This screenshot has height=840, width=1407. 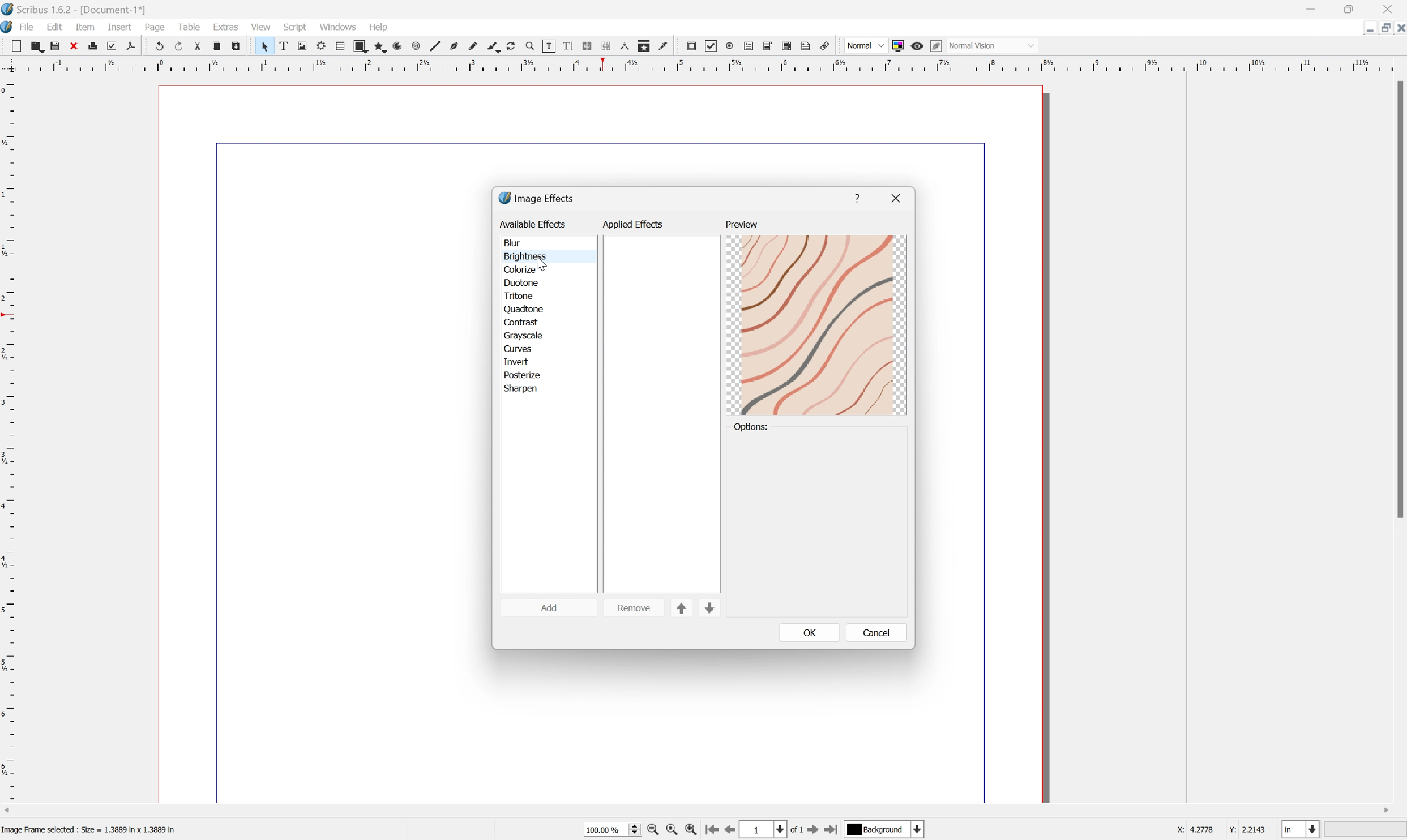 What do you see at coordinates (263, 46) in the screenshot?
I see `Select item` at bounding box center [263, 46].